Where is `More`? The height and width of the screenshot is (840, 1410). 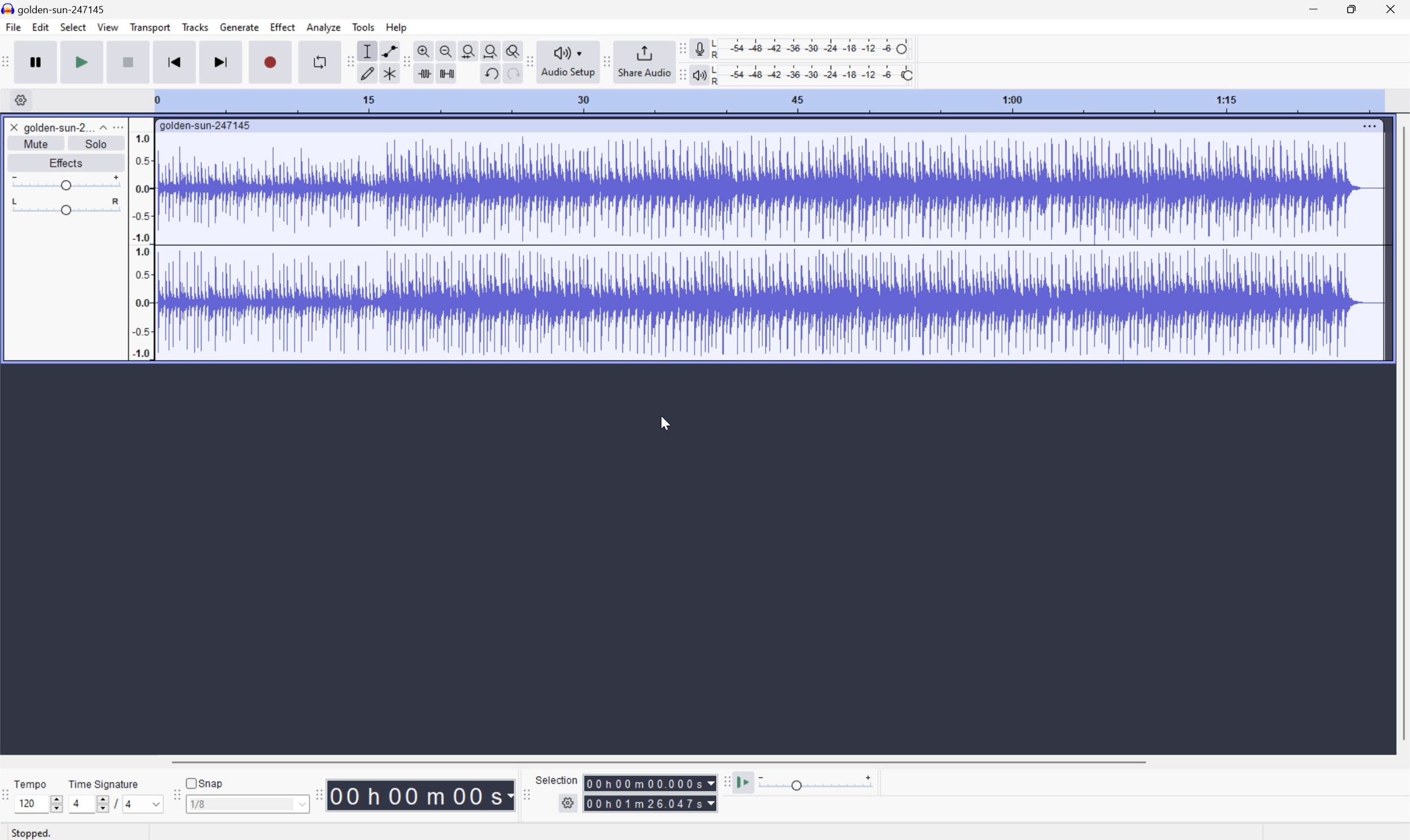 More is located at coordinates (121, 126).